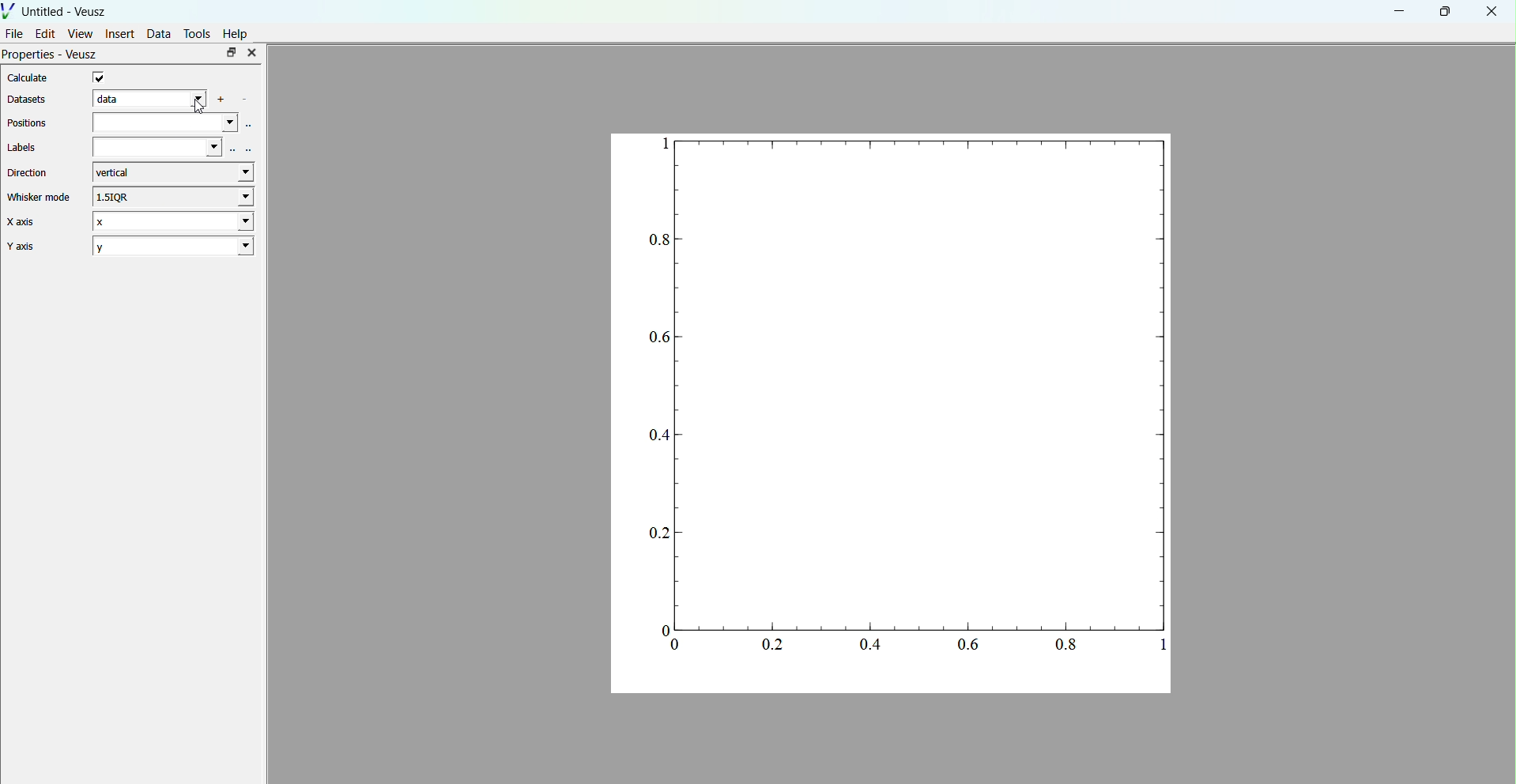 This screenshot has height=784, width=1516. I want to click on Labels, so click(26, 147).